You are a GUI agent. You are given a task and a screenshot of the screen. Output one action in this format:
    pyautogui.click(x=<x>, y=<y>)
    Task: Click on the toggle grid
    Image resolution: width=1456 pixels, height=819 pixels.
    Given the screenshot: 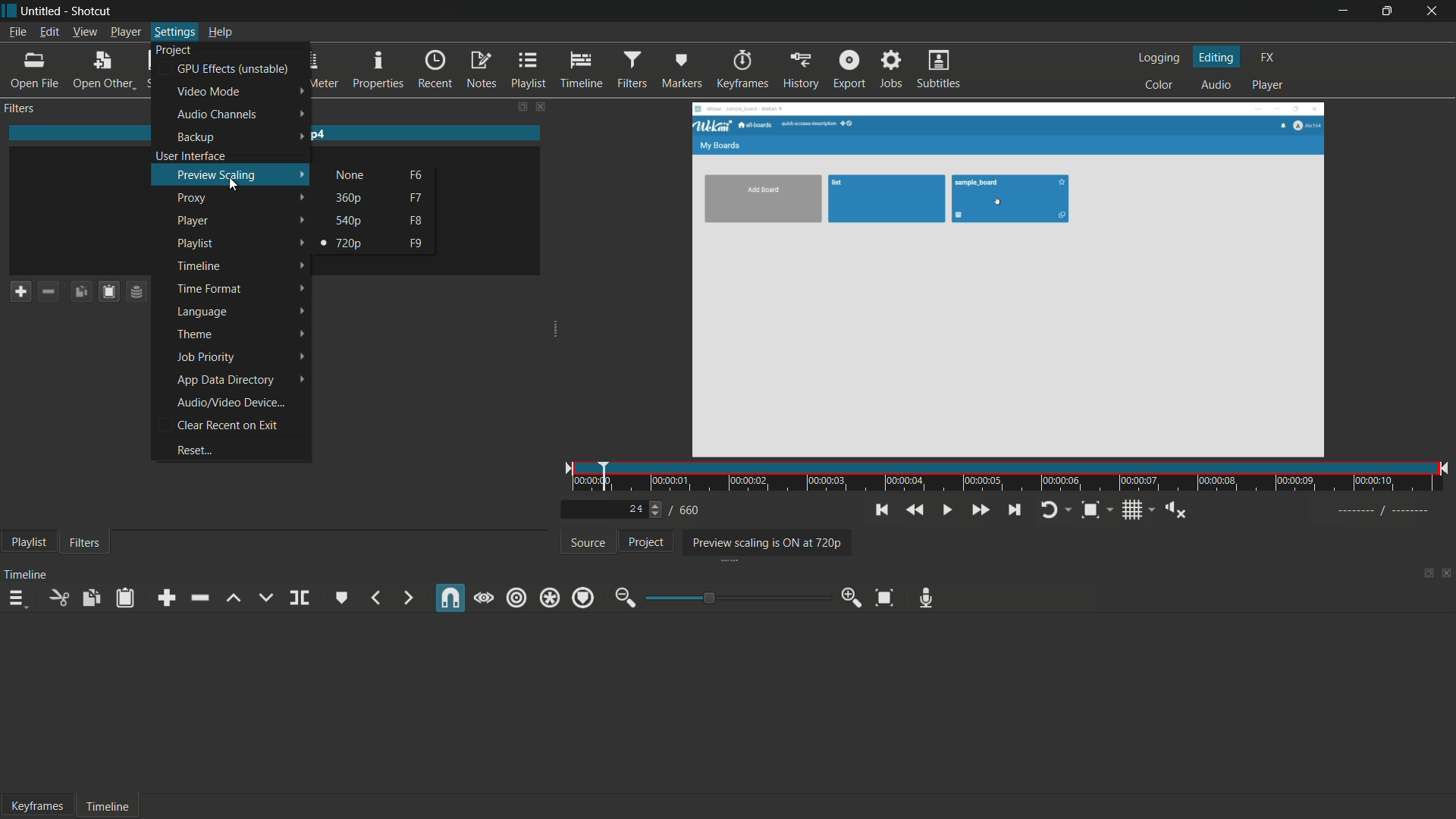 What is the action you would take?
    pyautogui.click(x=1132, y=511)
    